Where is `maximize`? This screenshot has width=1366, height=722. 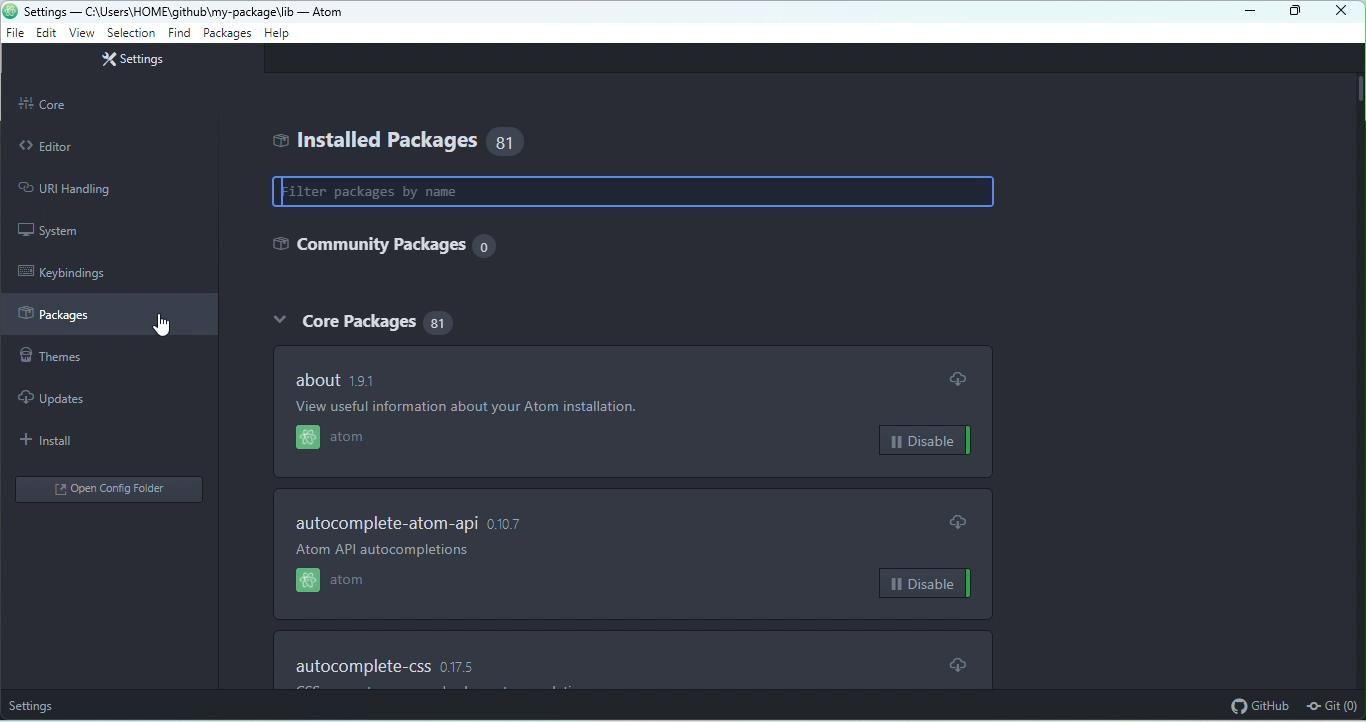 maximize is located at coordinates (1295, 12).